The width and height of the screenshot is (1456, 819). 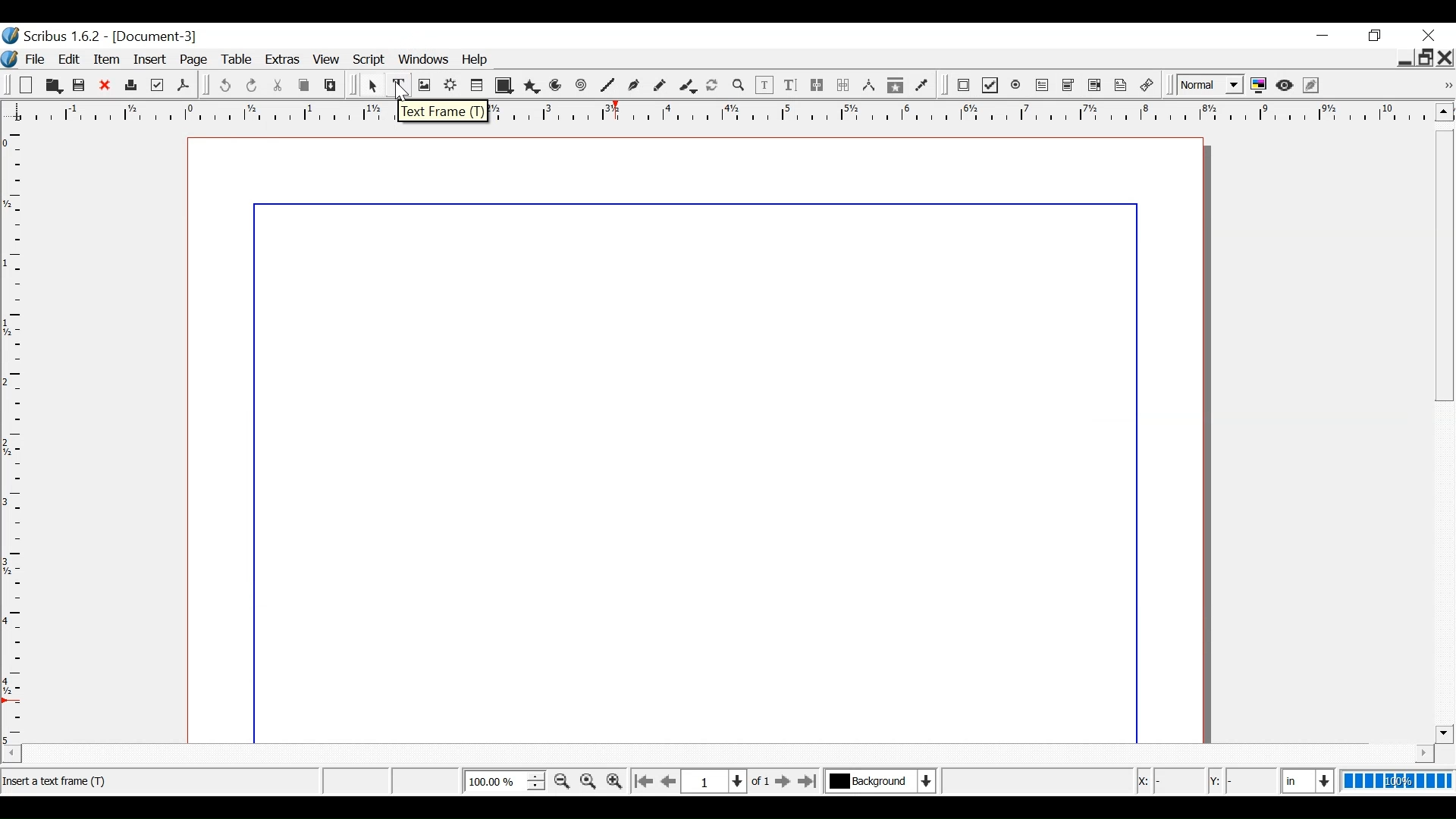 What do you see at coordinates (327, 59) in the screenshot?
I see `View` at bounding box center [327, 59].